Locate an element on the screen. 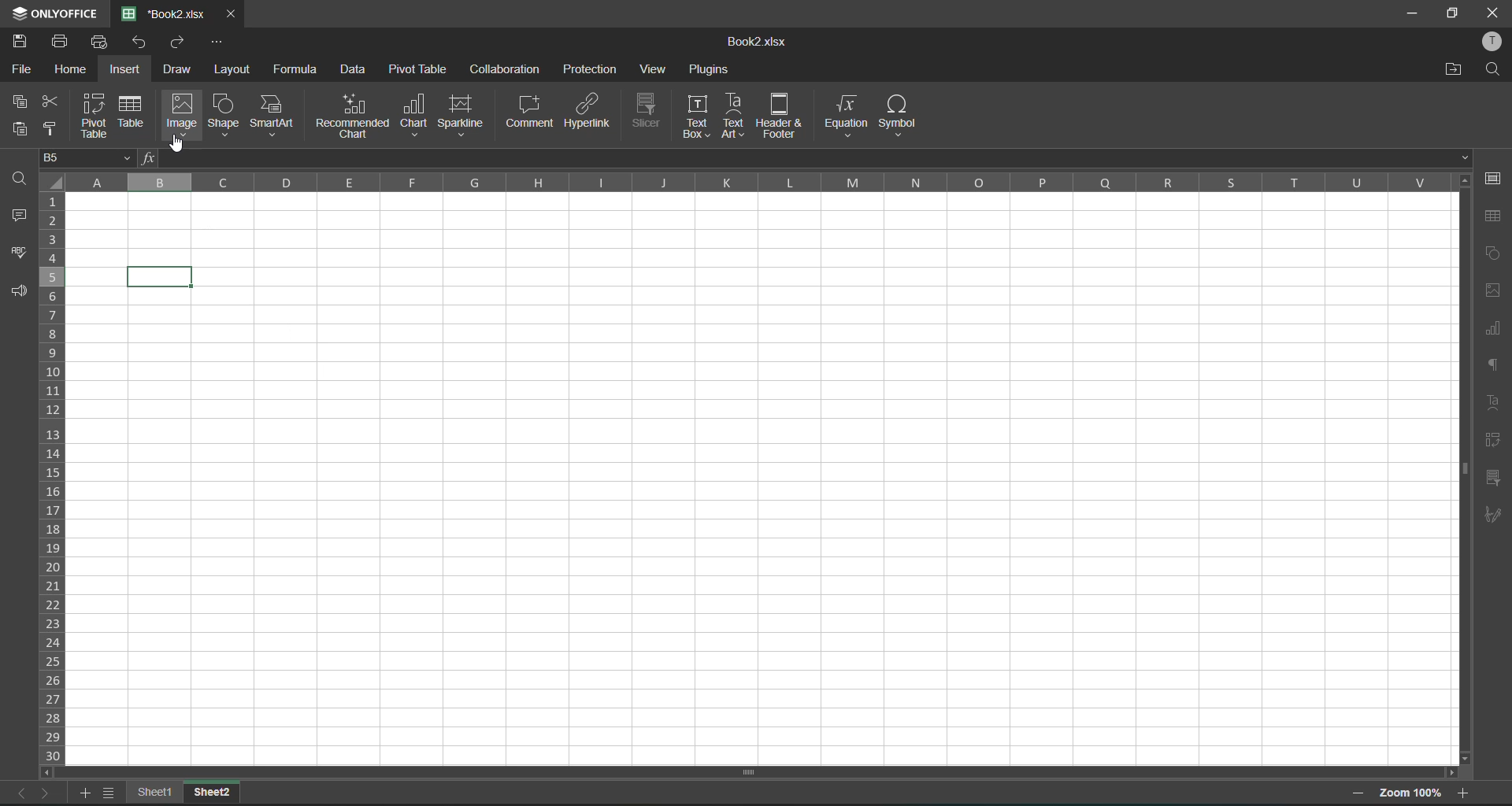  comments is located at coordinates (20, 220).